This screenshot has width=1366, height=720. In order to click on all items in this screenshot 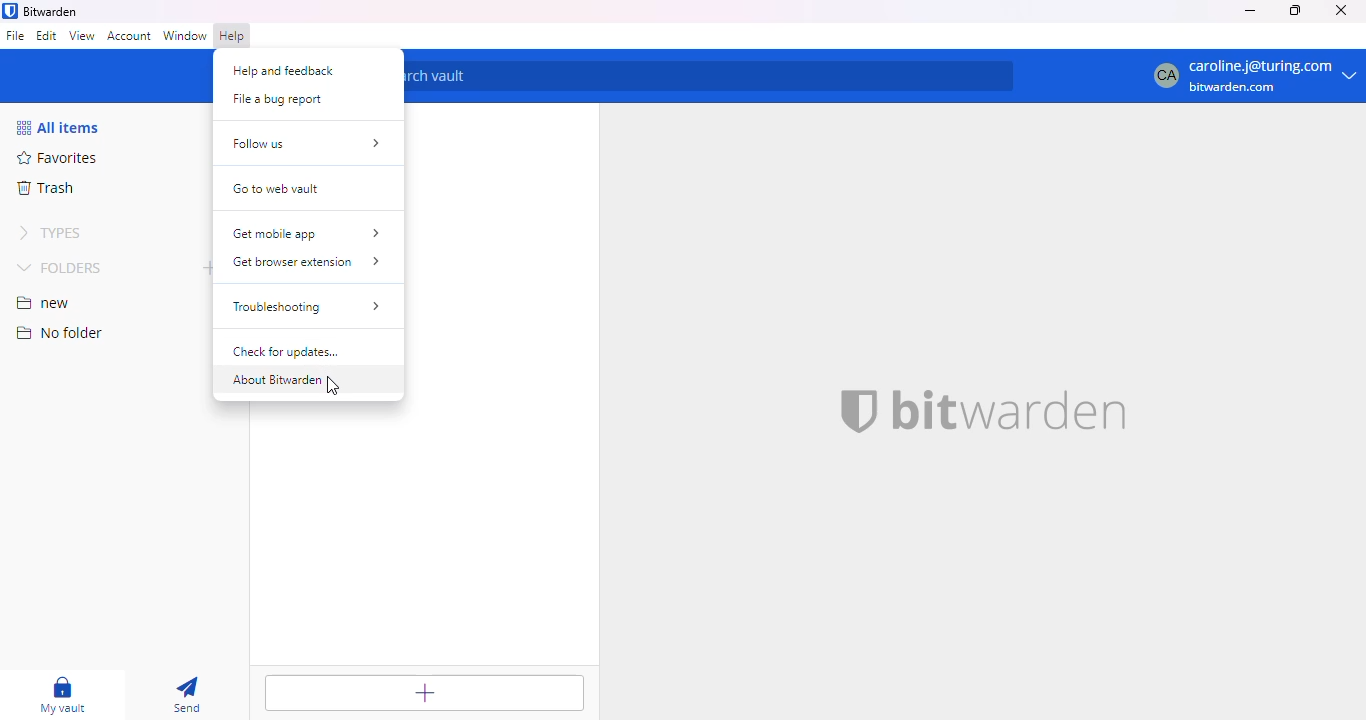, I will do `click(57, 127)`.